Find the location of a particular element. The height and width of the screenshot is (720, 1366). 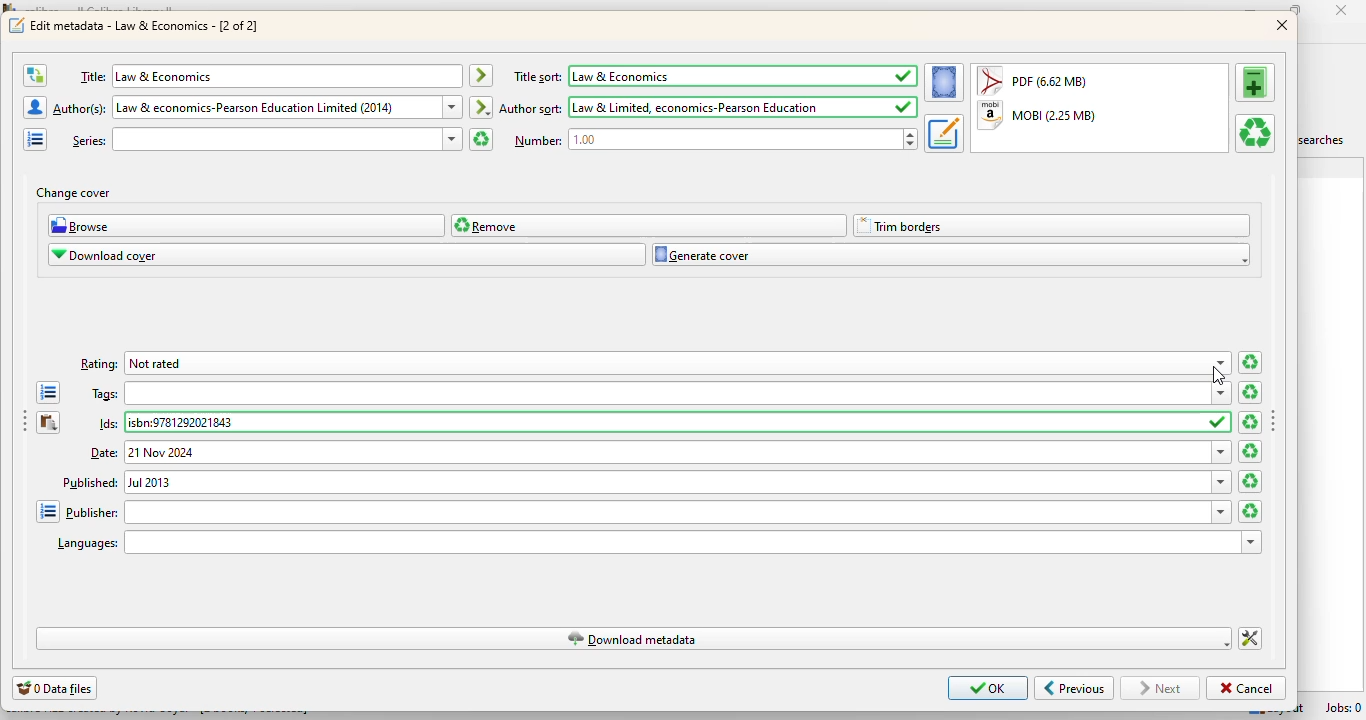

title sort: Law & economics is located at coordinates (715, 76).